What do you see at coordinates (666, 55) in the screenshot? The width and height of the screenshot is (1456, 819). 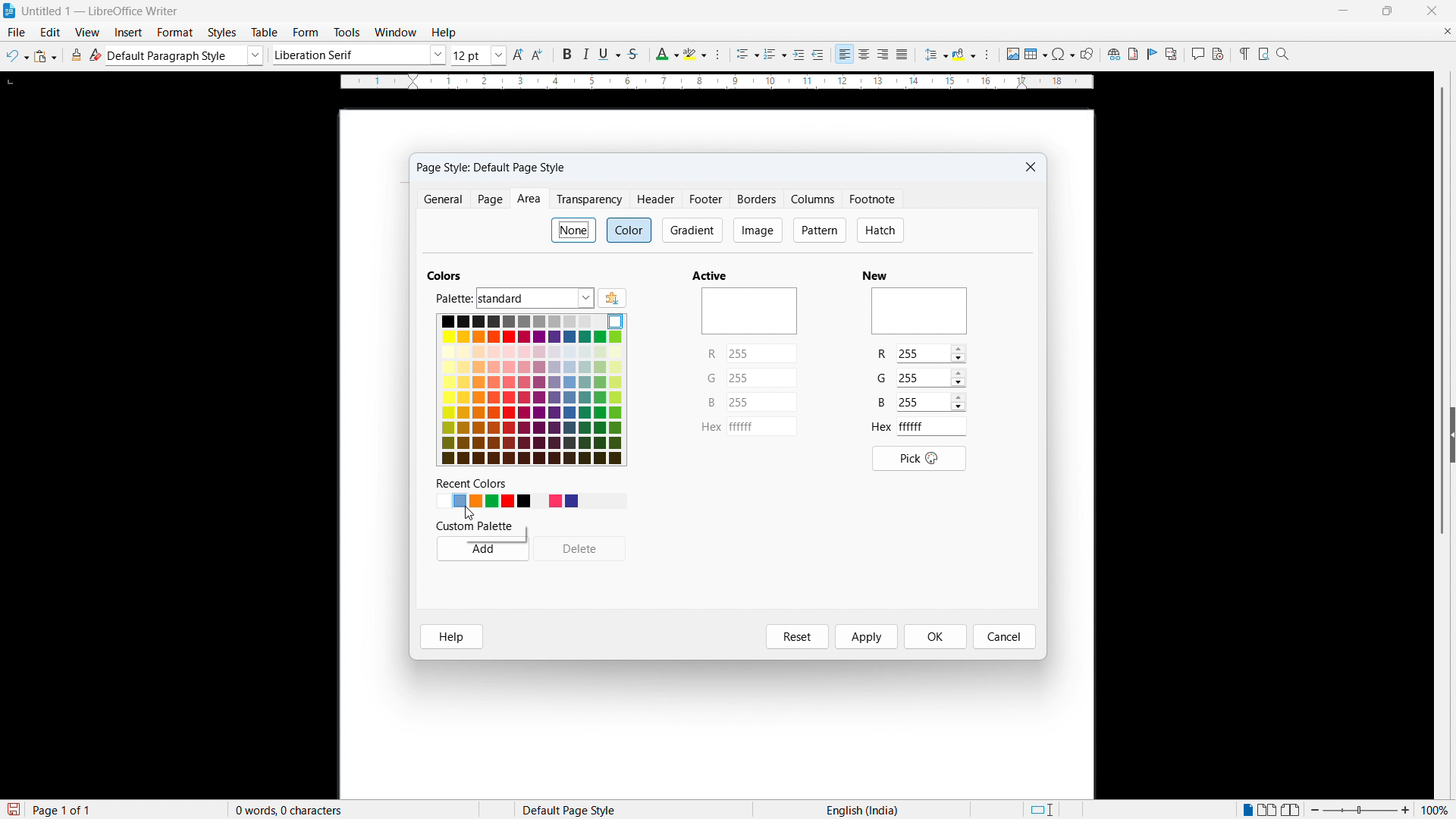 I see `Font colour ` at bounding box center [666, 55].